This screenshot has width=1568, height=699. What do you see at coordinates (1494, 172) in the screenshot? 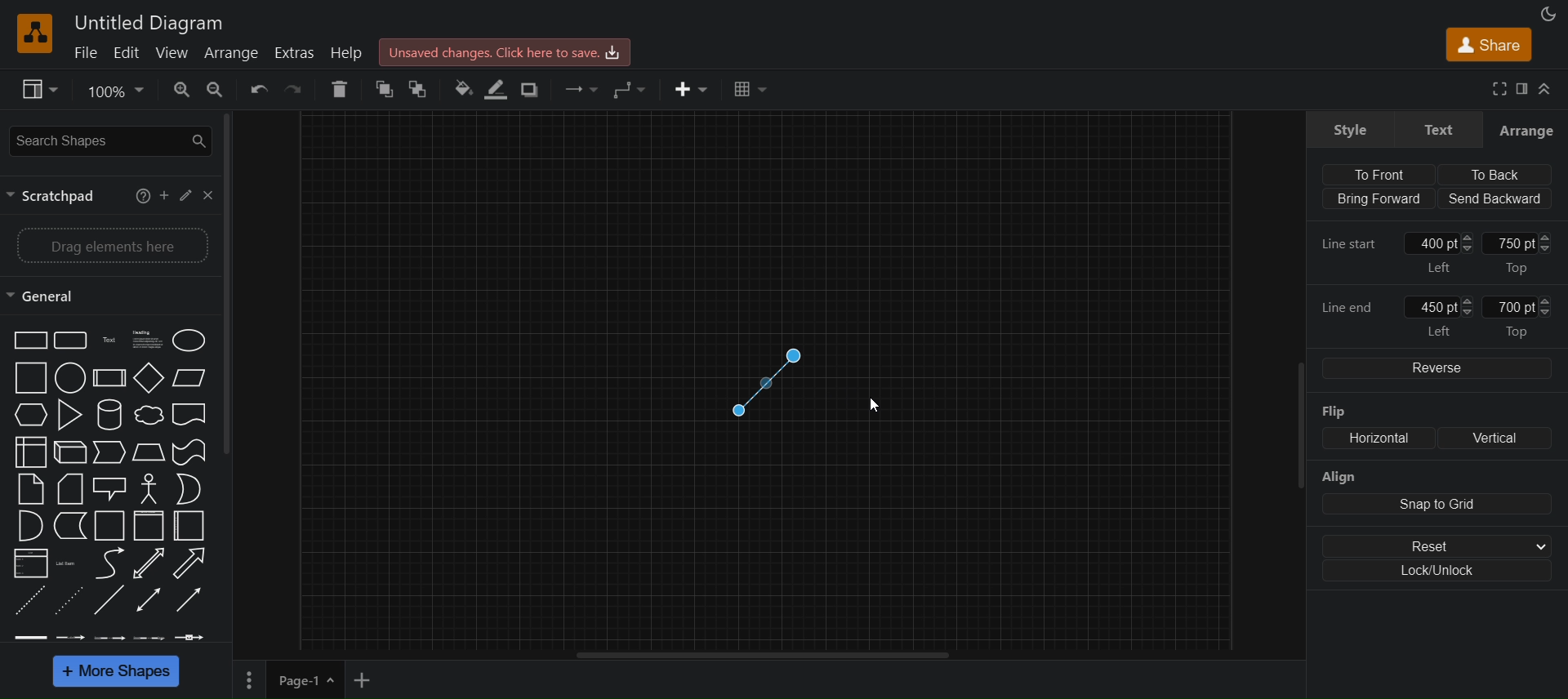
I see `to back` at bounding box center [1494, 172].